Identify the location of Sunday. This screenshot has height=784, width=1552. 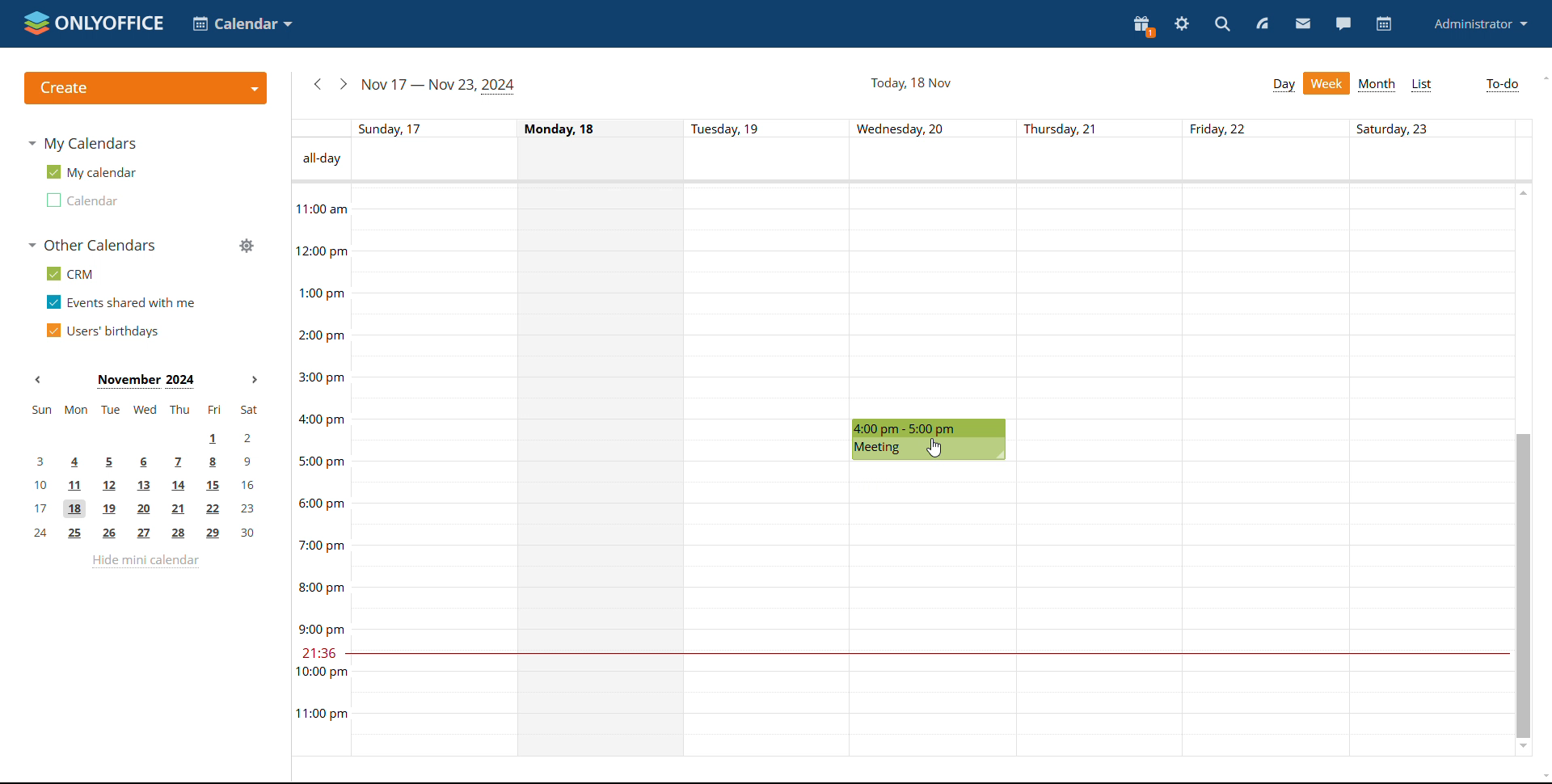
(432, 470).